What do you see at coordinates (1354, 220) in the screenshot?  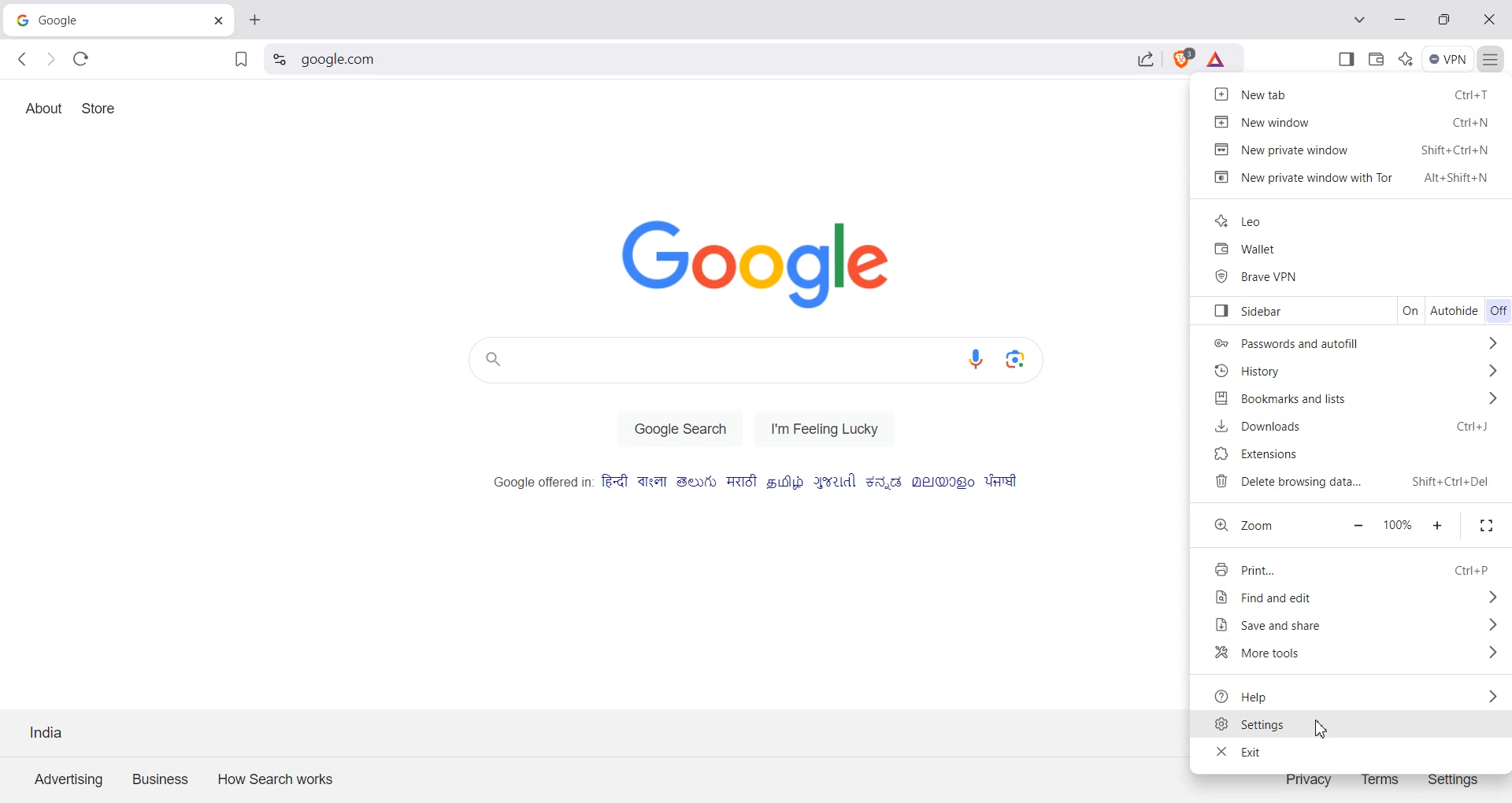 I see `Leo` at bounding box center [1354, 220].